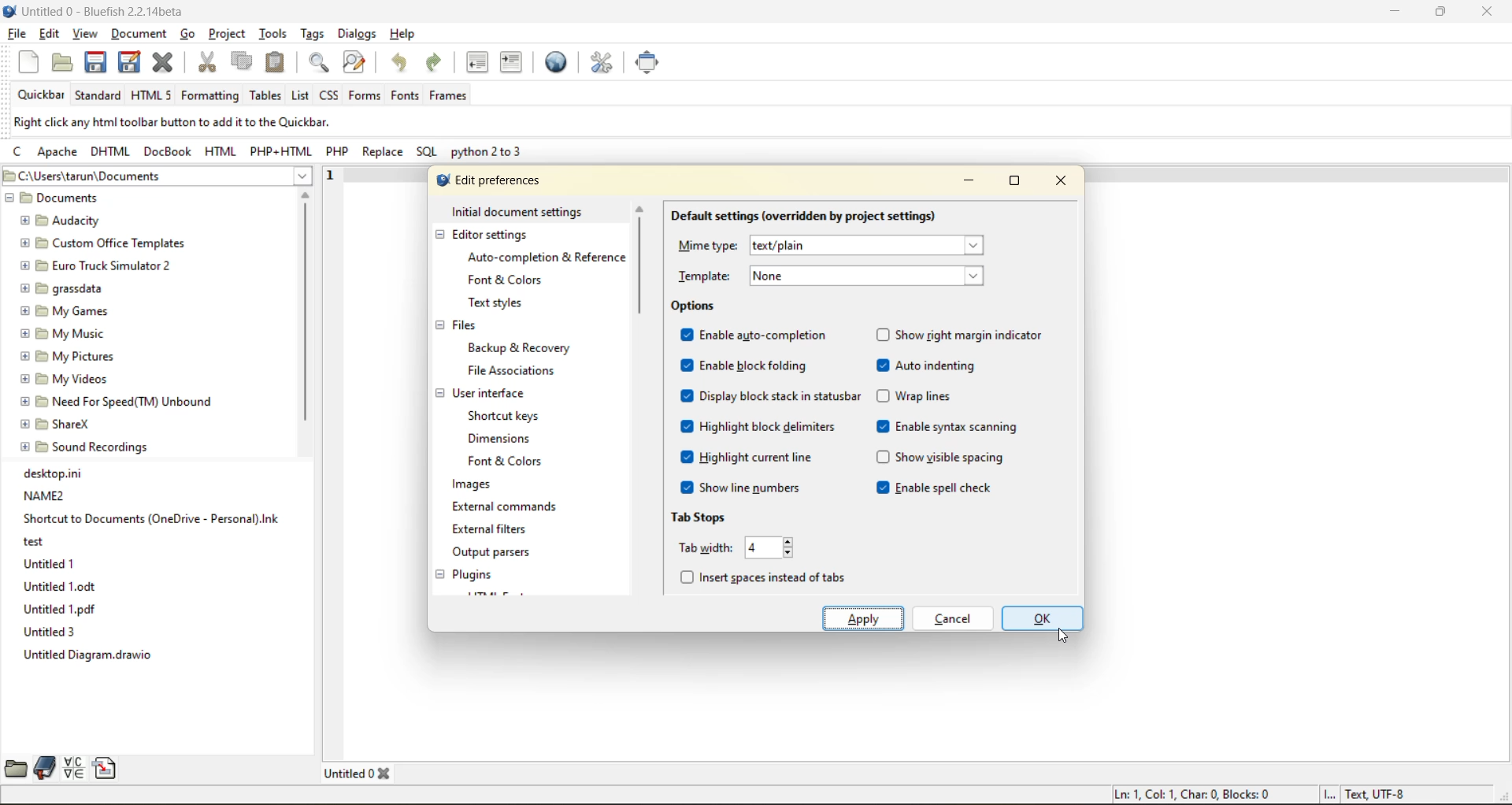 The image size is (1512, 805). Describe the element at coordinates (758, 548) in the screenshot. I see `width increased` at that location.